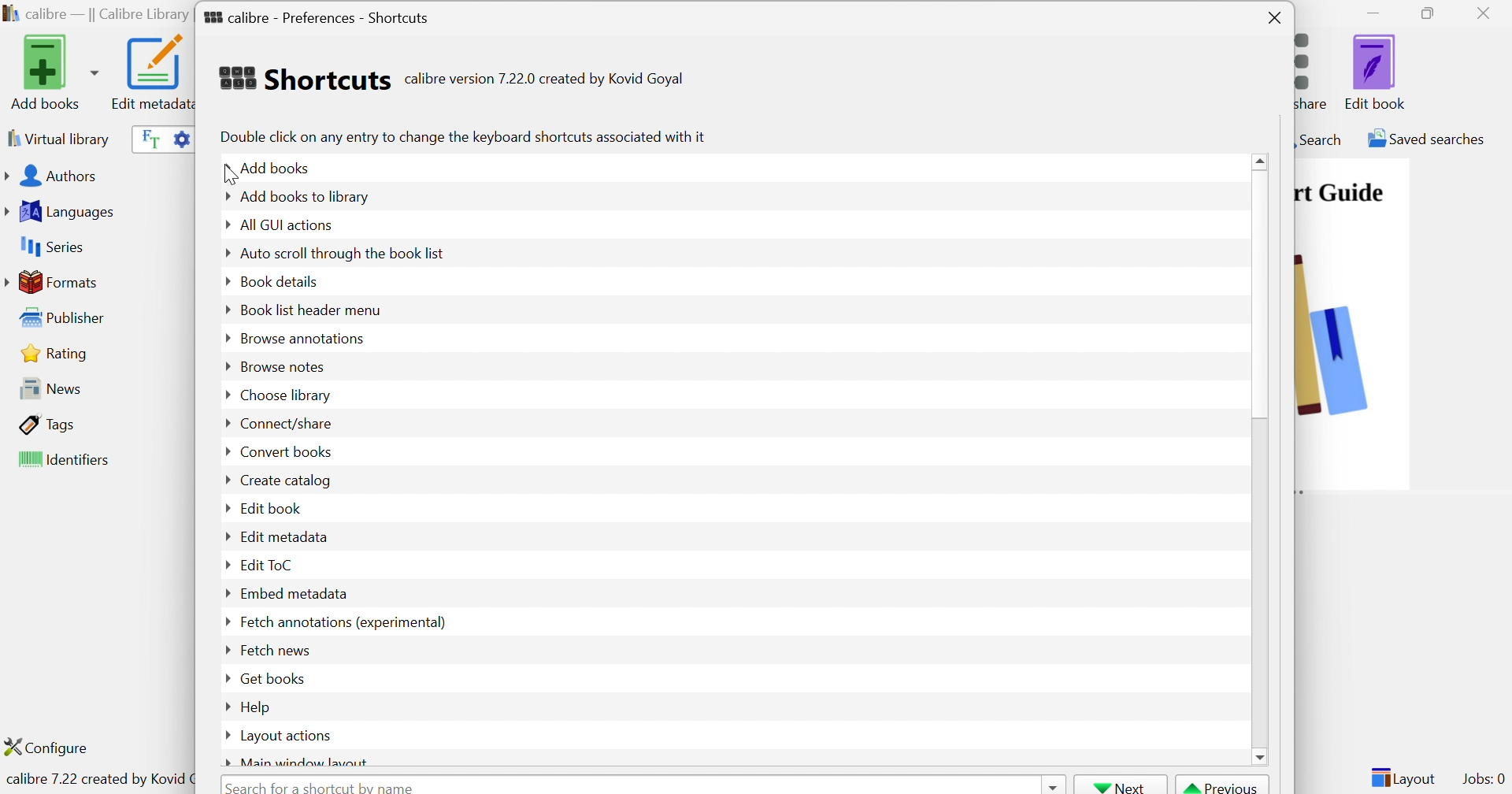 The width and height of the screenshot is (1512, 794). Describe the element at coordinates (1262, 160) in the screenshot. I see `Scroll Up` at that location.